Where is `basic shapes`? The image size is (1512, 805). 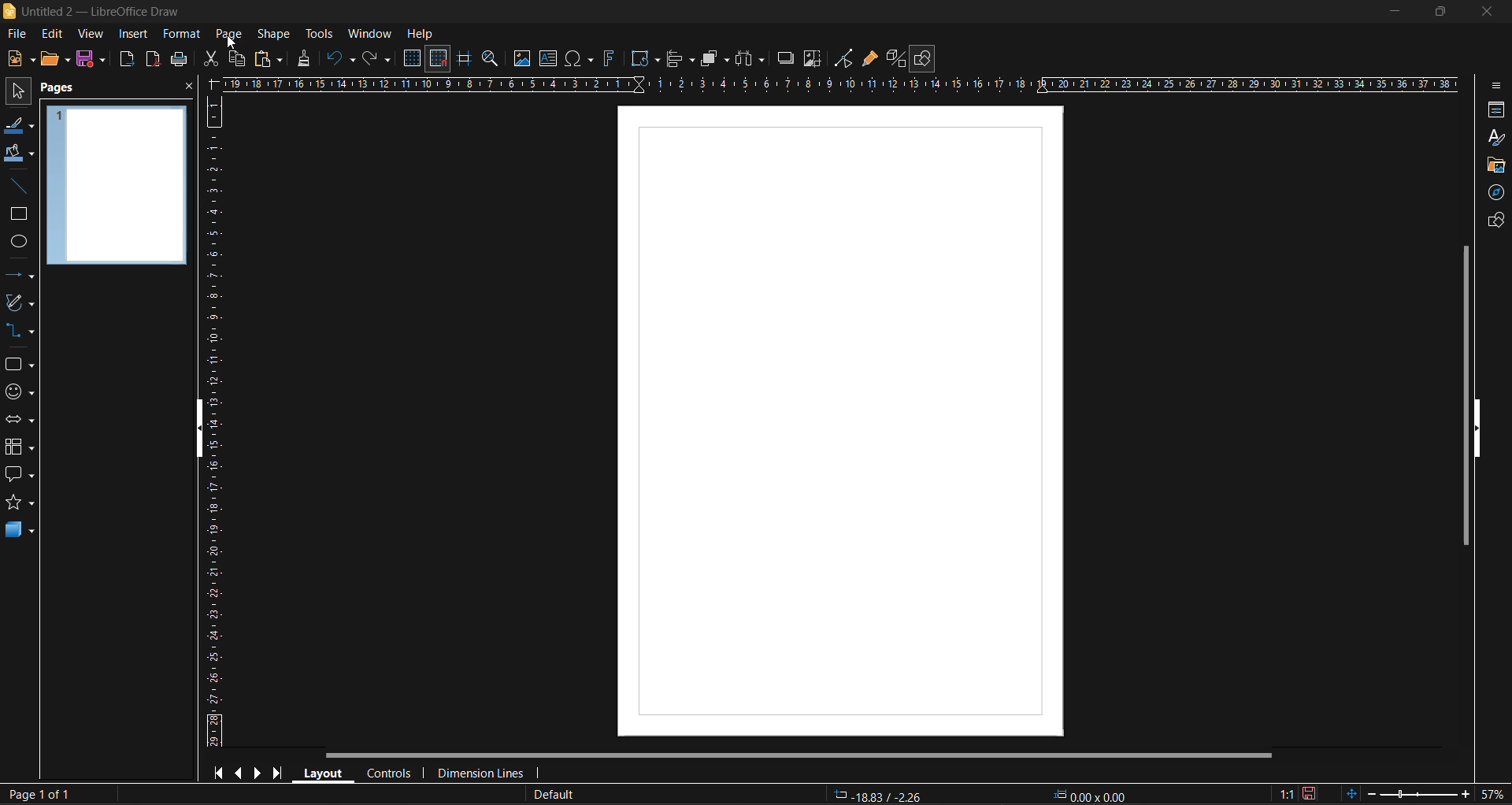
basic shapes is located at coordinates (20, 365).